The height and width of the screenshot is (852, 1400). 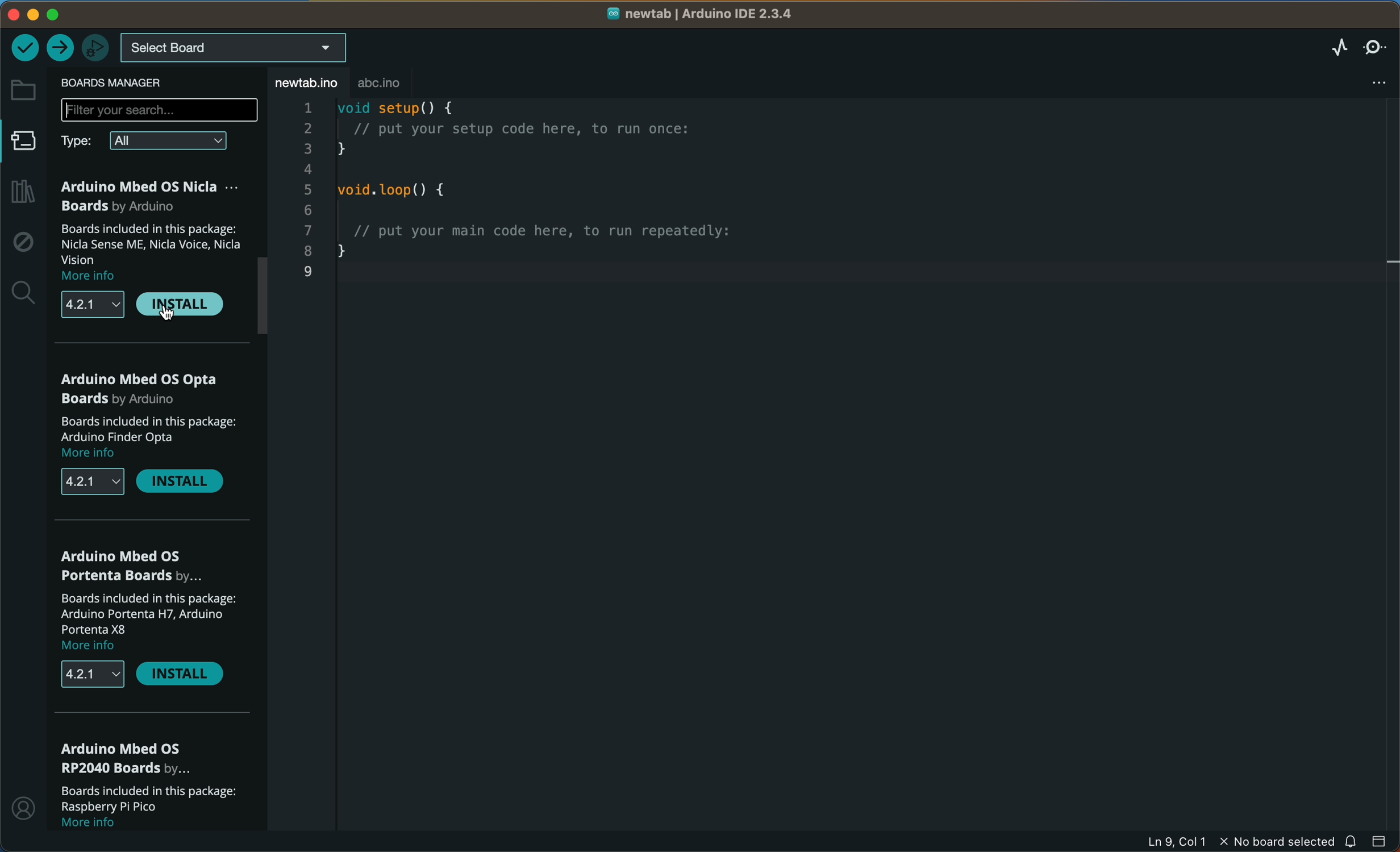 What do you see at coordinates (244, 47) in the screenshot?
I see `board selecter` at bounding box center [244, 47].